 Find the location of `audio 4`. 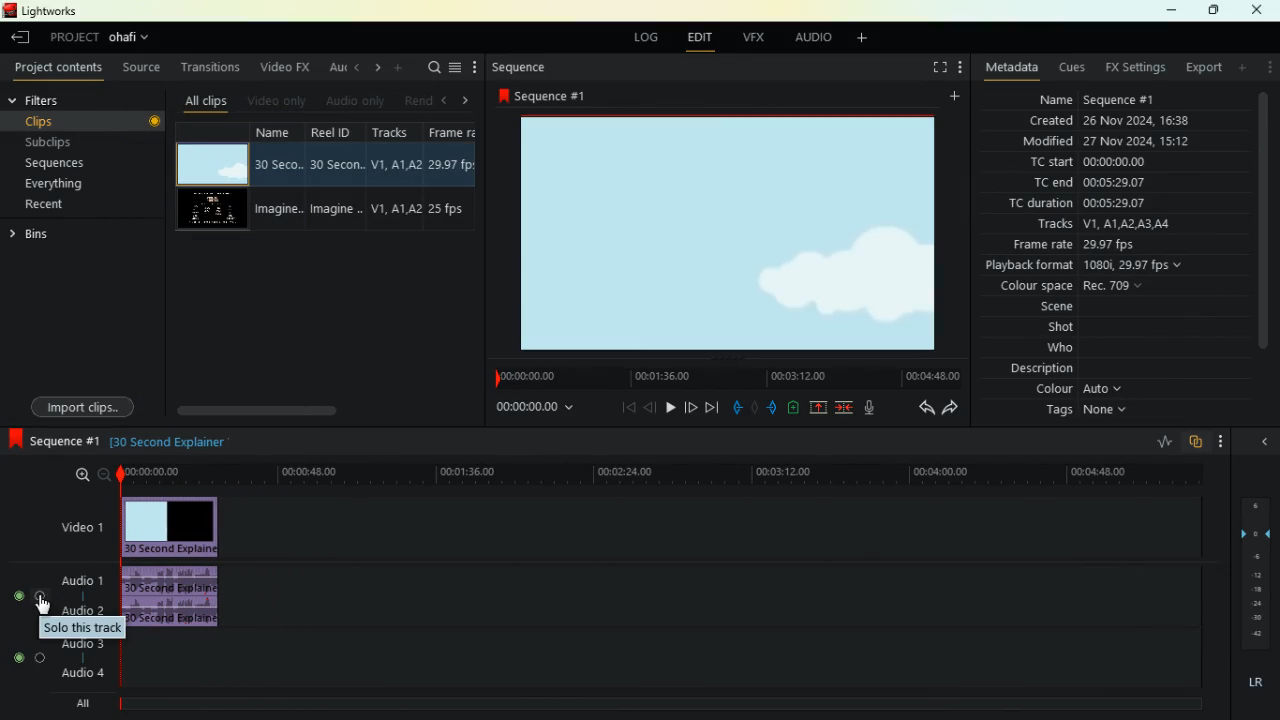

audio 4 is located at coordinates (80, 674).